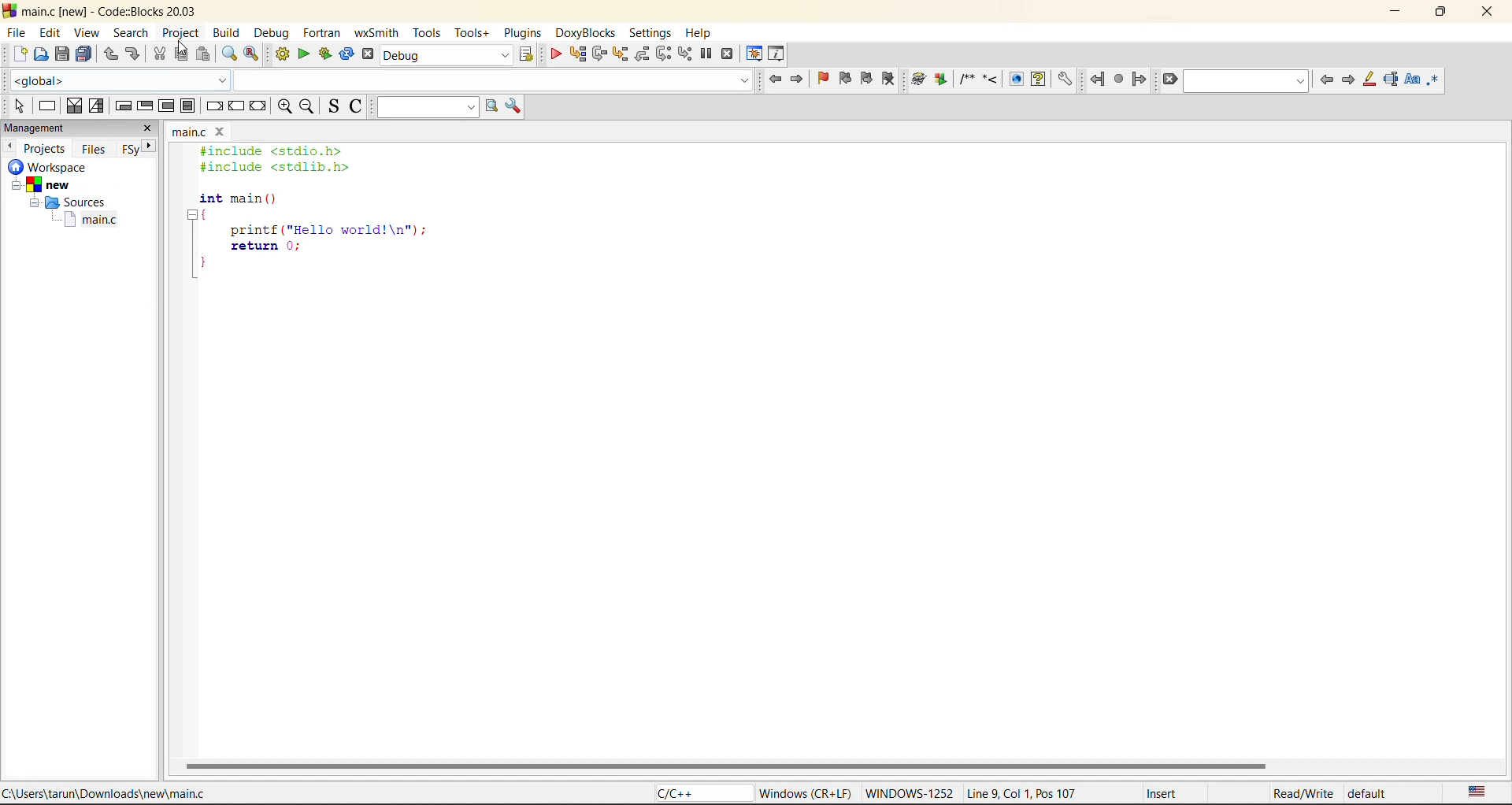  What do you see at coordinates (1413, 80) in the screenshot?
I see `match case` at bounding box center [1413, 80].